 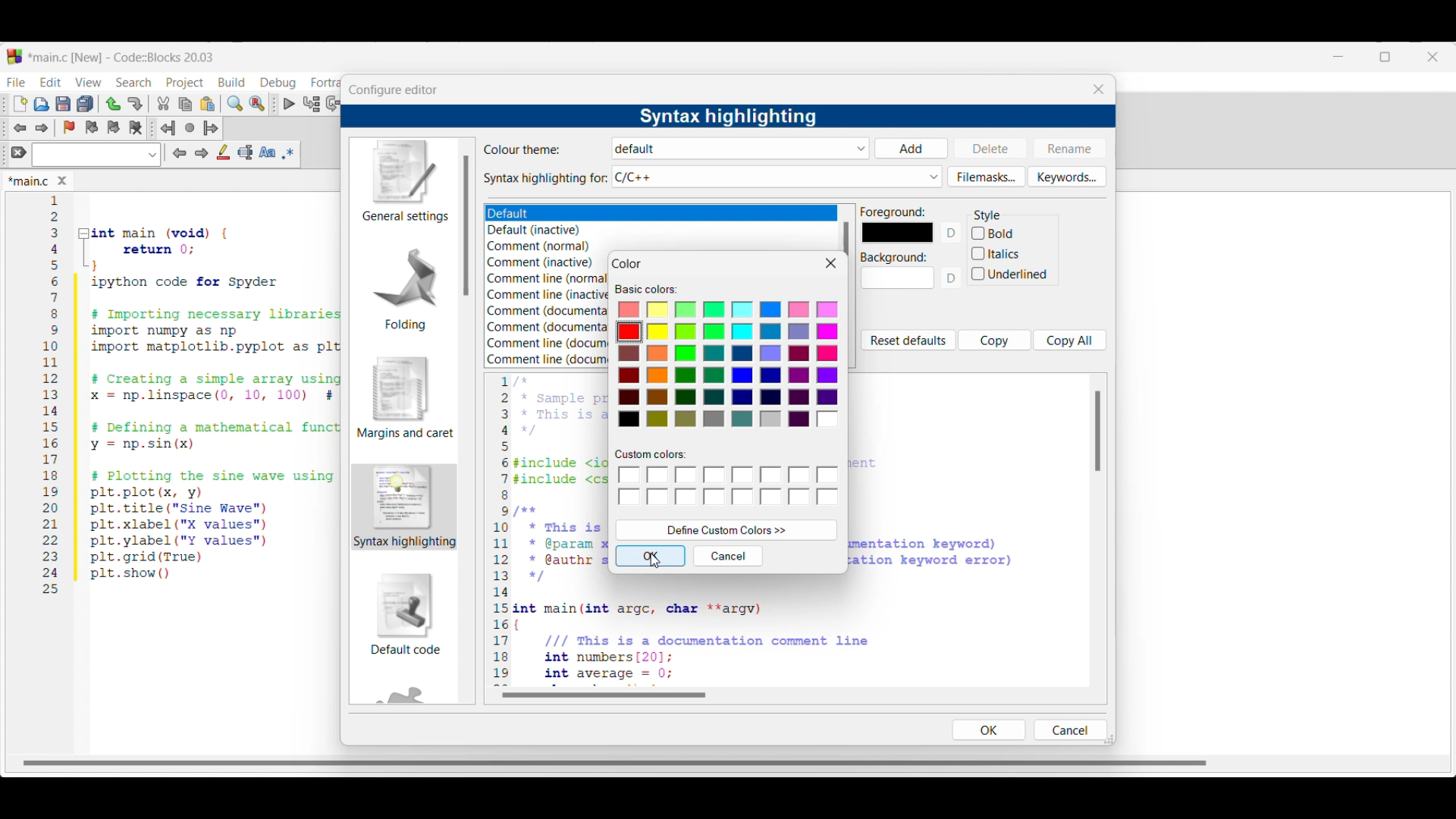 What do you see at coordinates (63, 104) in the screenshot?
I see `Save` at bounding box center [63, 104].